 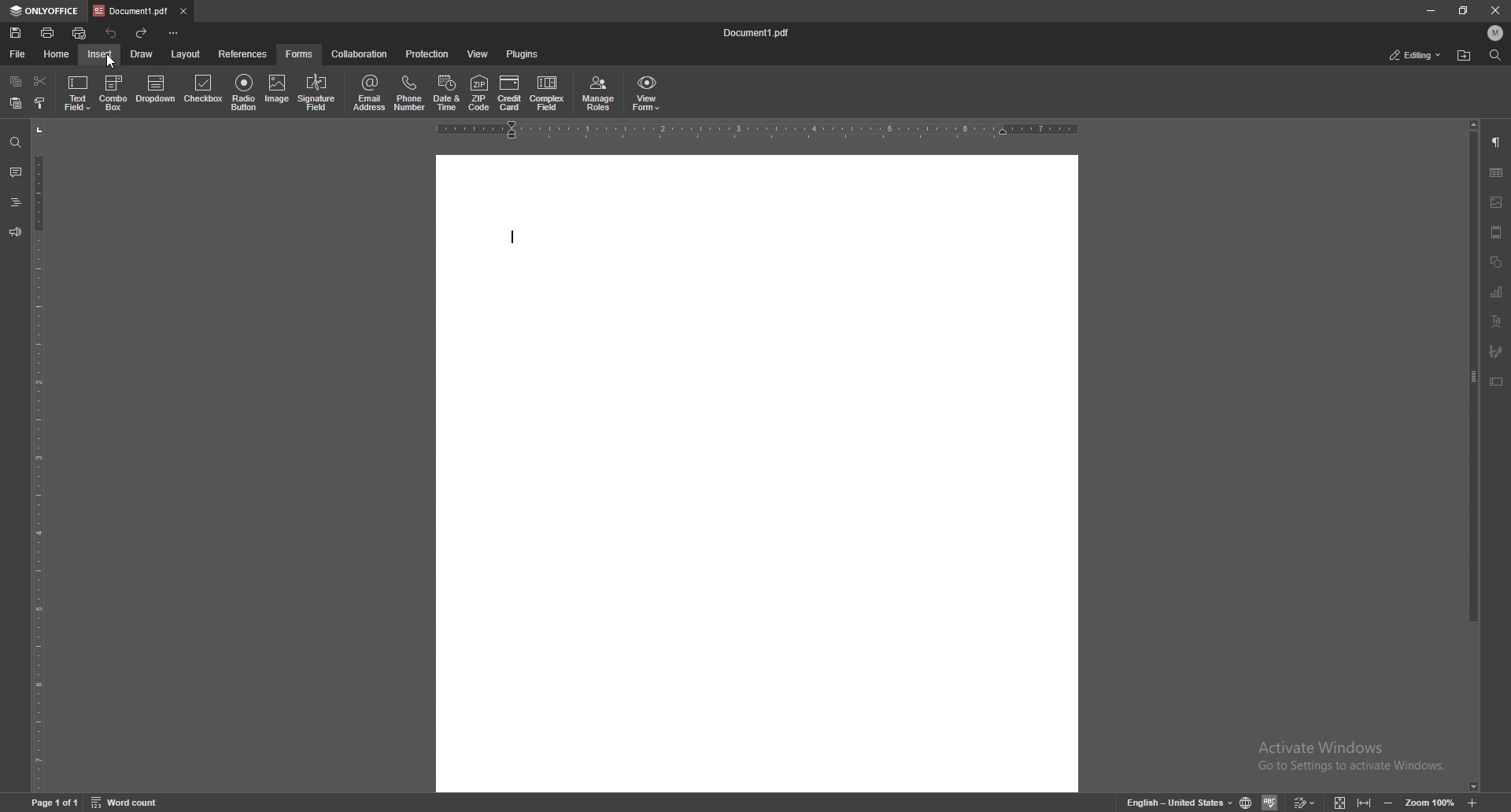 What do you see at coordinates (114, 92) in the screenshot?
I see `combo box` at bounding box center [114, 92].